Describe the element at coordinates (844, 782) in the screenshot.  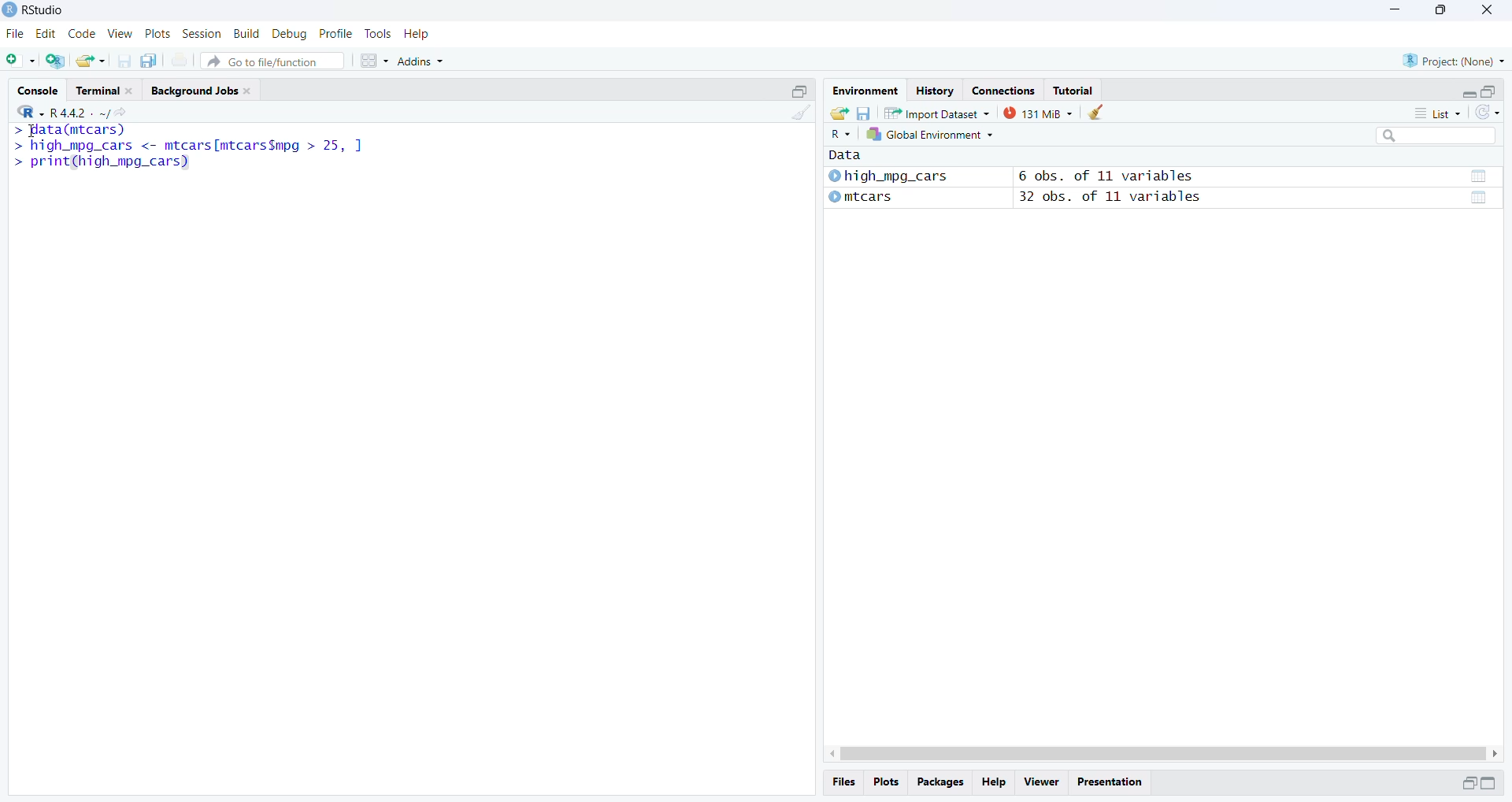
I see `Files` at that location.